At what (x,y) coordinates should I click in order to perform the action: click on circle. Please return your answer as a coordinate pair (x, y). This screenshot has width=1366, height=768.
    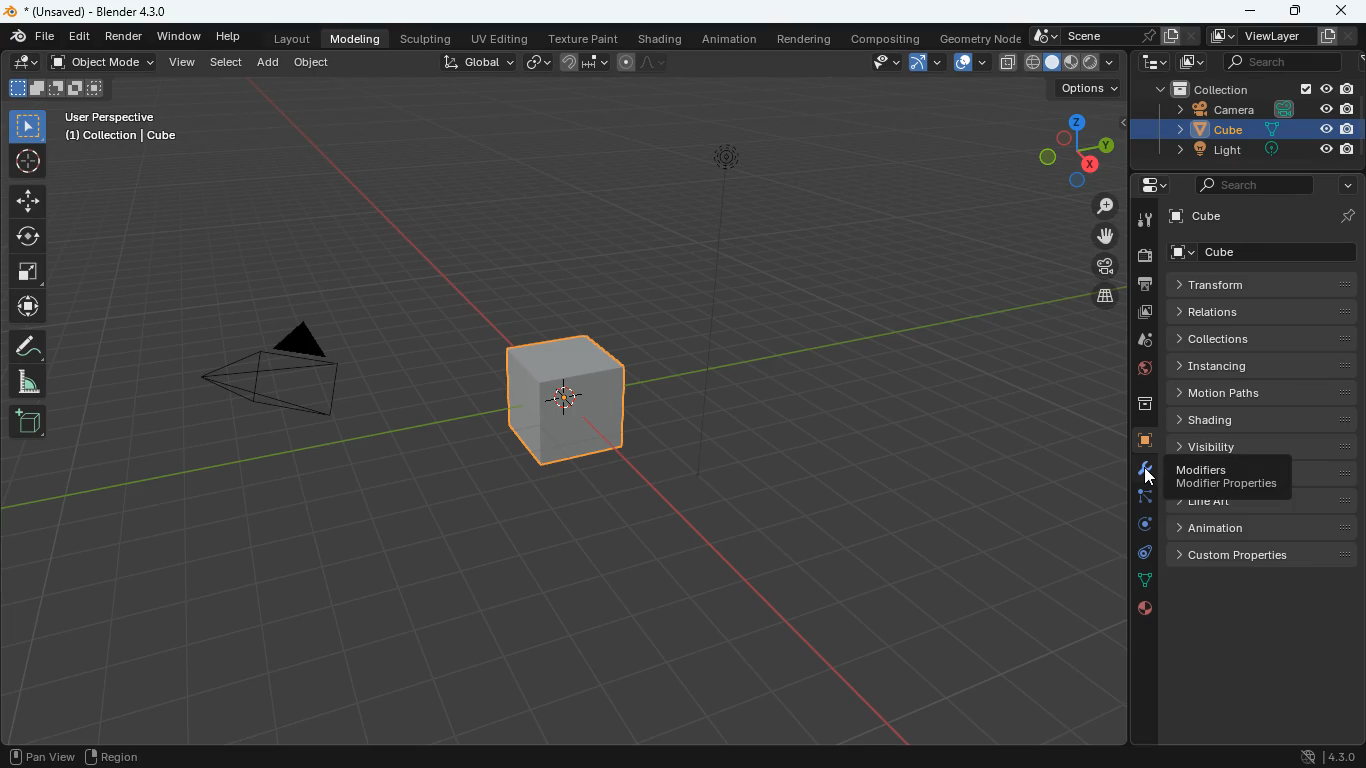
    Looking at the image, I should click on (29, 237).